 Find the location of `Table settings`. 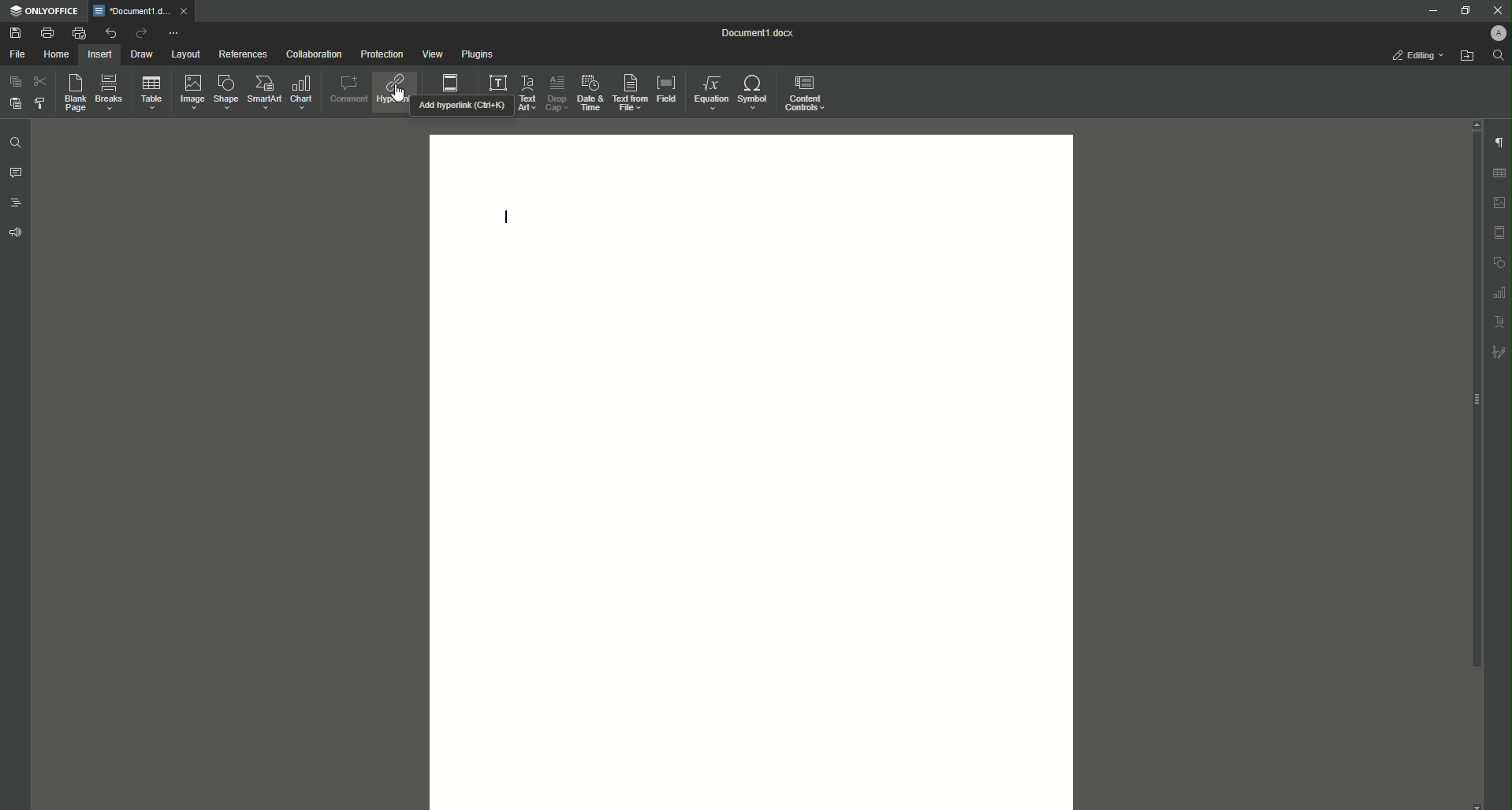

Table settings is located at coordinates (1499, 173).